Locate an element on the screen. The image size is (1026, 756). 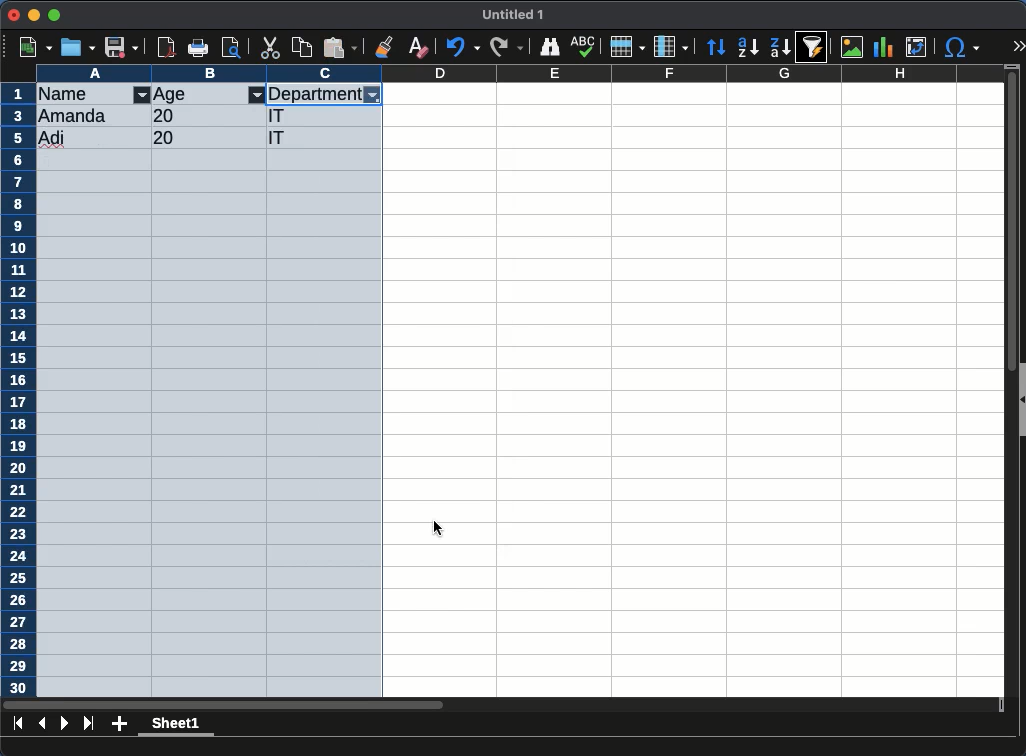
previous sheet is located at coordinates (44, 722).